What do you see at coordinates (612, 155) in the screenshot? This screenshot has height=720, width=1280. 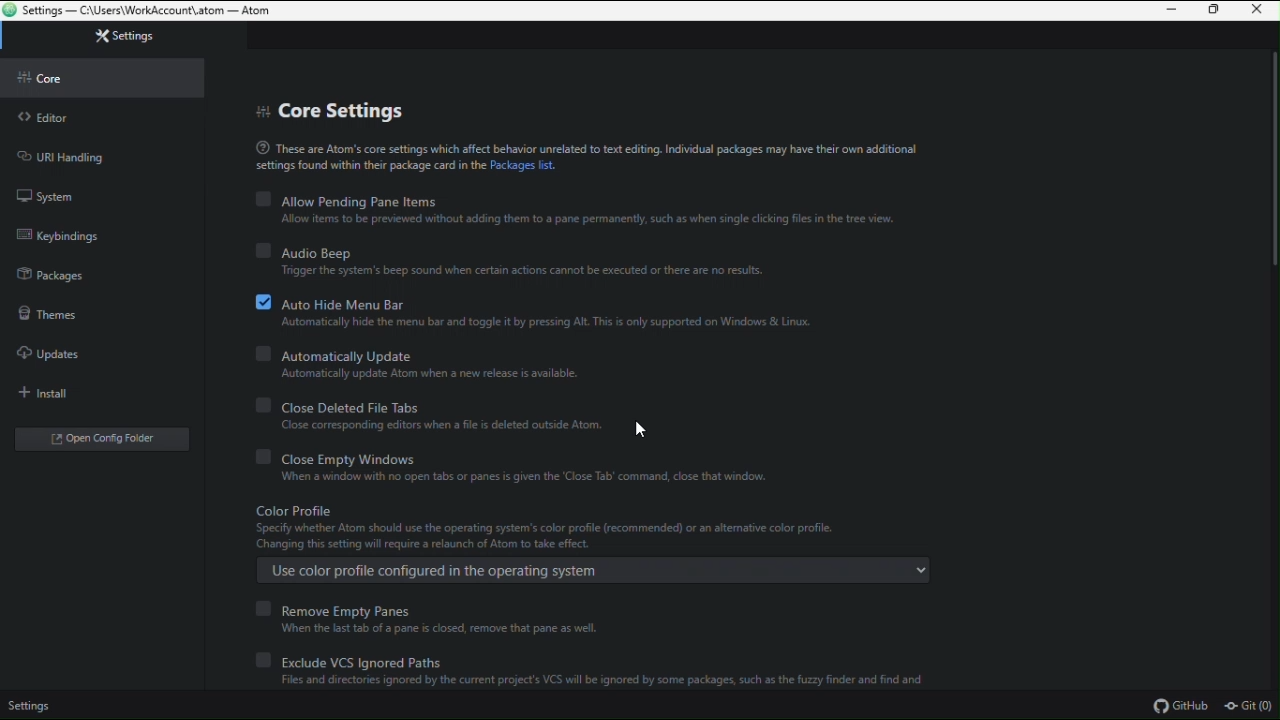 I see `These are Atom's core settings which affect behavior unrelated to text editing. Individual packages may have their own additional settings found within thei package card in the Packages list` at bounding box center [612, 155].